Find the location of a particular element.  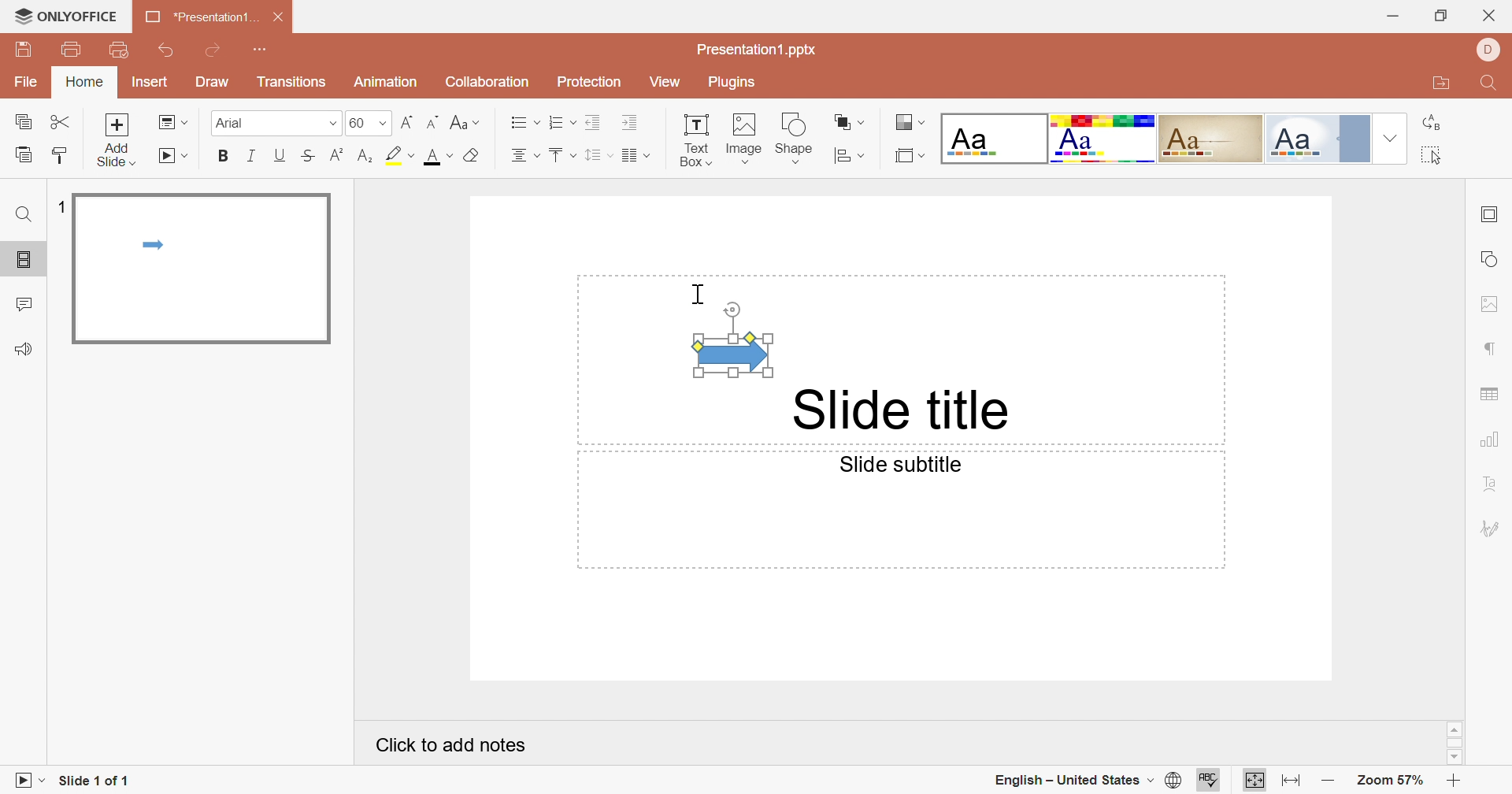

Click to add notes is located at coordinates (454, 746).